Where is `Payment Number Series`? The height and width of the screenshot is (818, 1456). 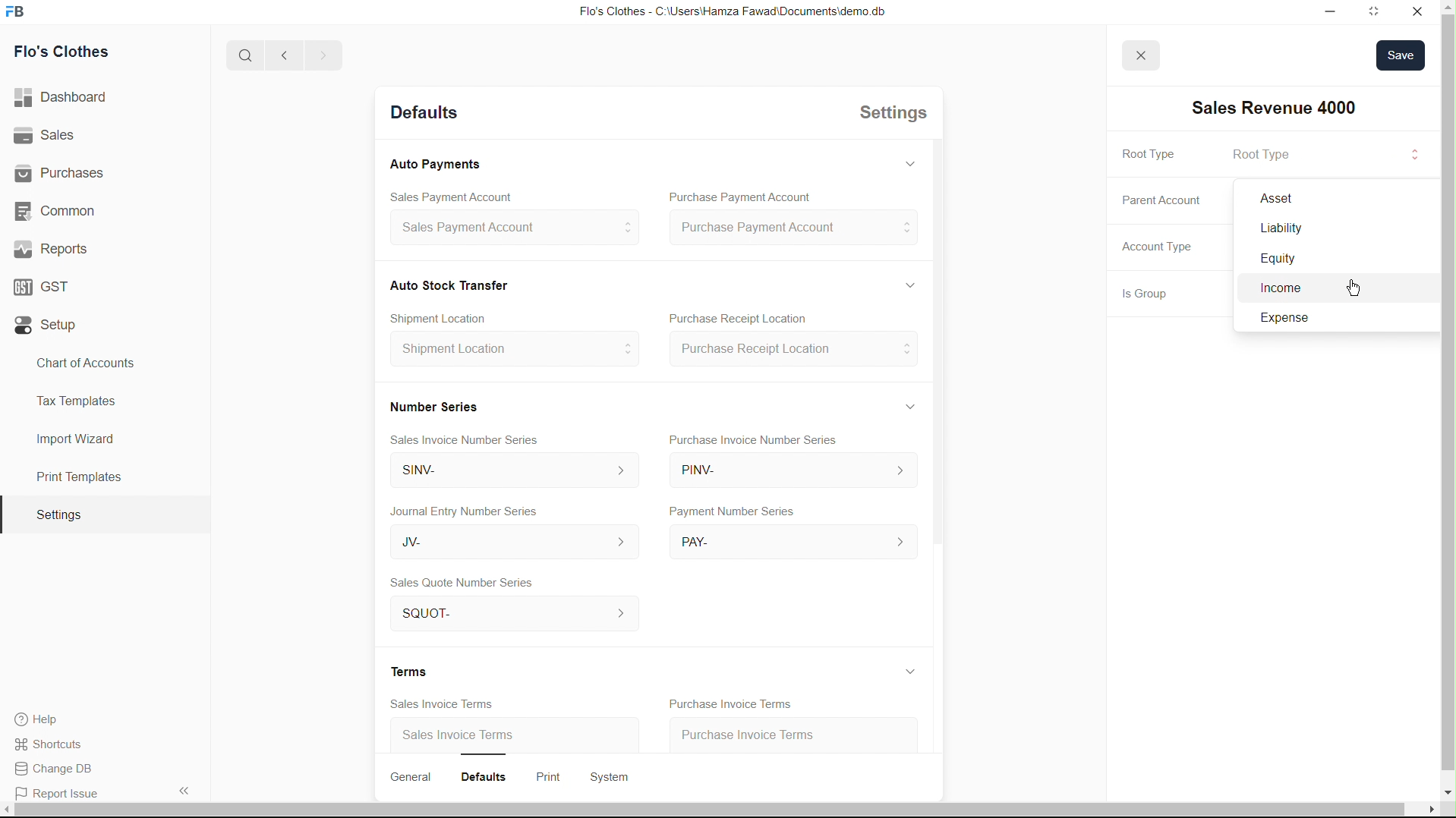 Payment Number Series is located at coordinates (736, 512).